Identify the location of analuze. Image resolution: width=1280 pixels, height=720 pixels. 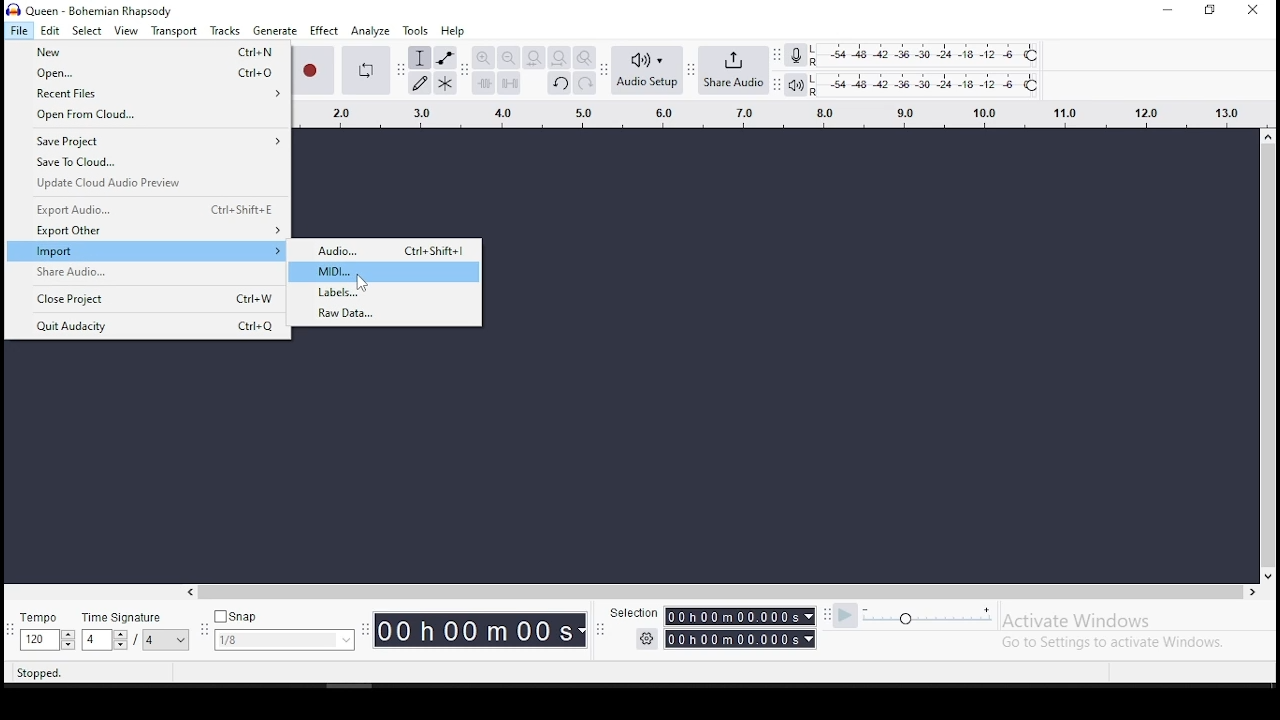
(370, 31).